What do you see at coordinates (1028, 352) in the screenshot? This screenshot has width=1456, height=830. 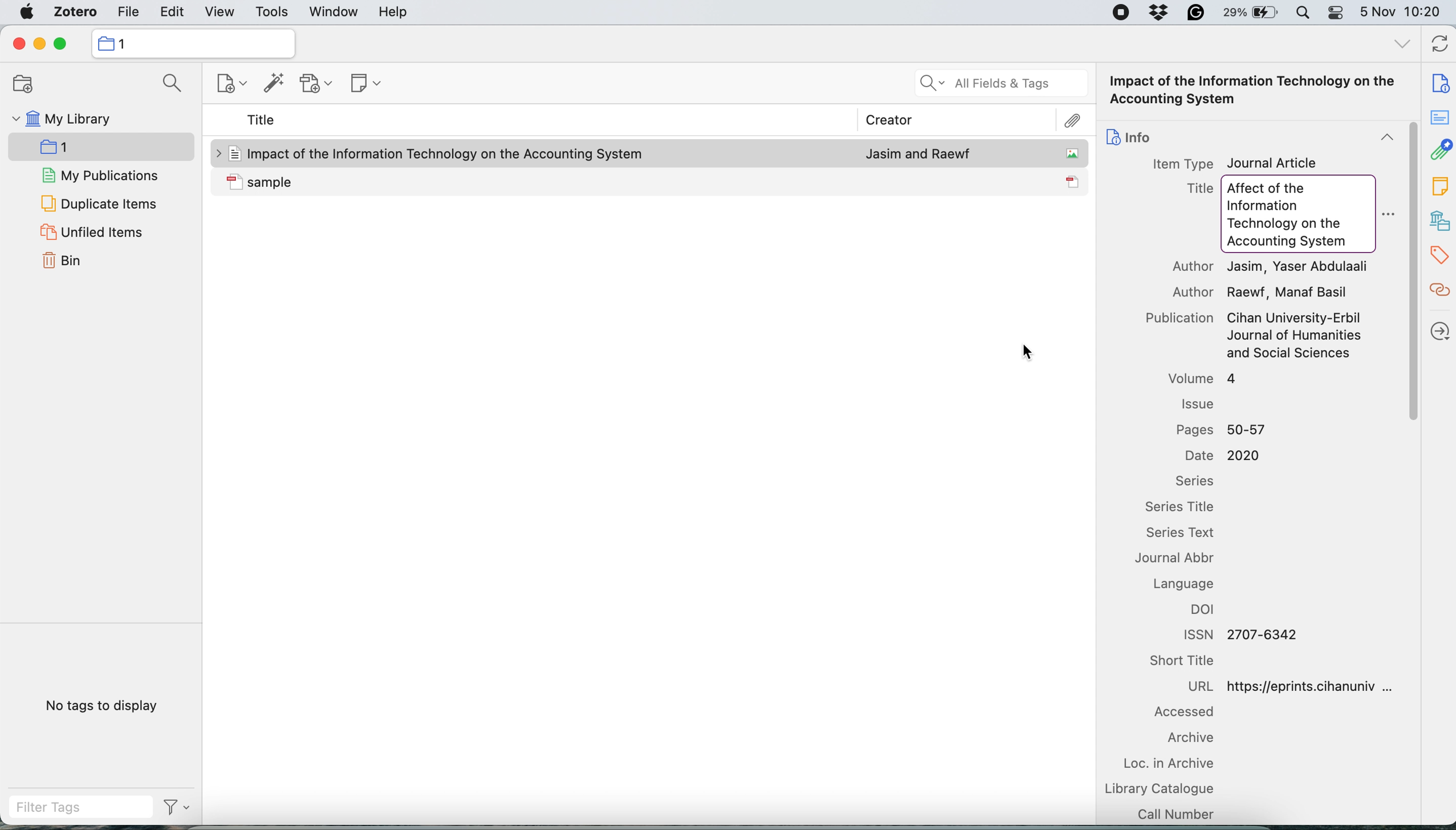 I see `cursor` at bounding box center [1028, 352].